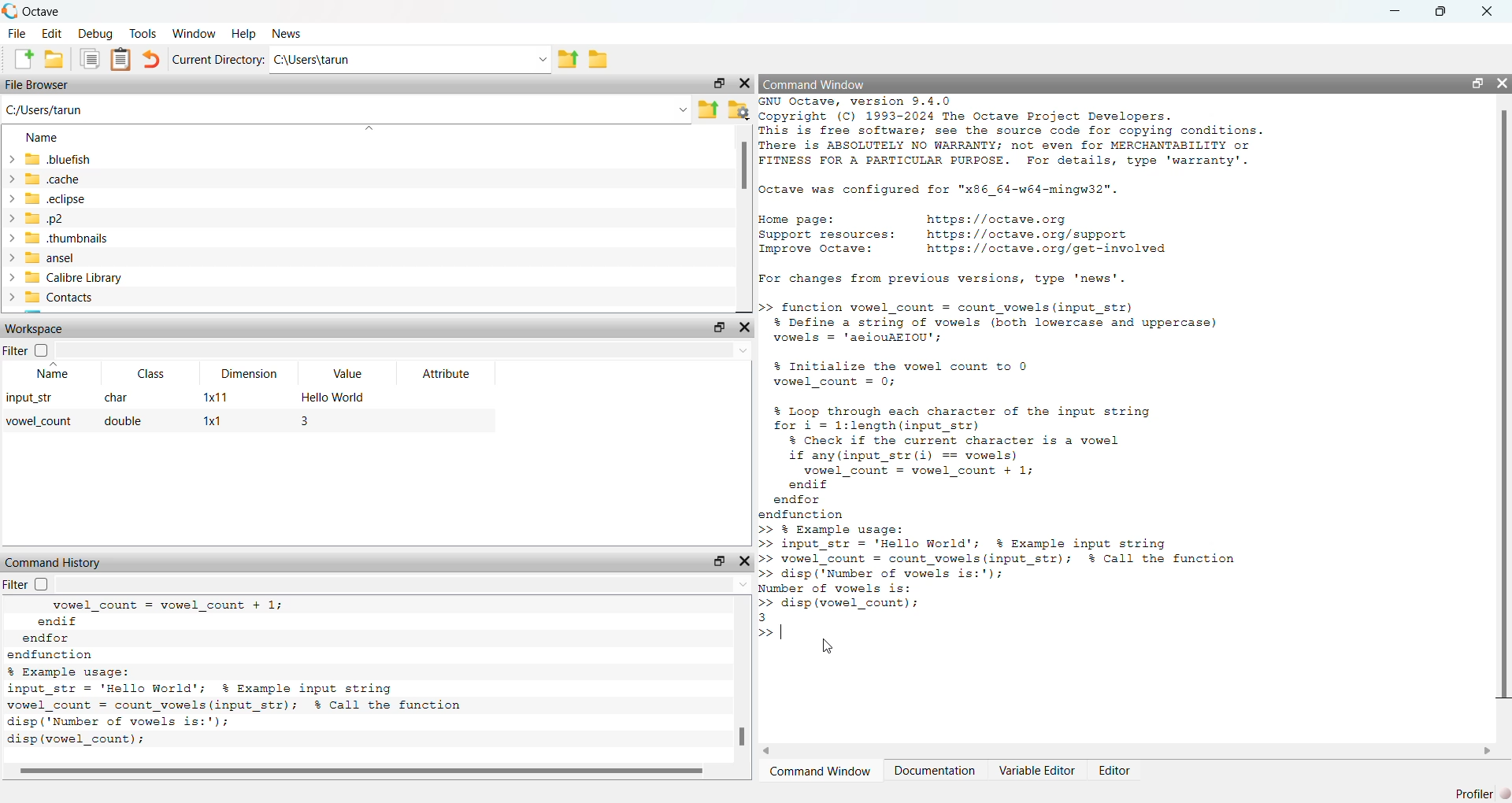  Describe the element at coordinates (1395, 11) in the screenshot. I see `minimize` at that location.